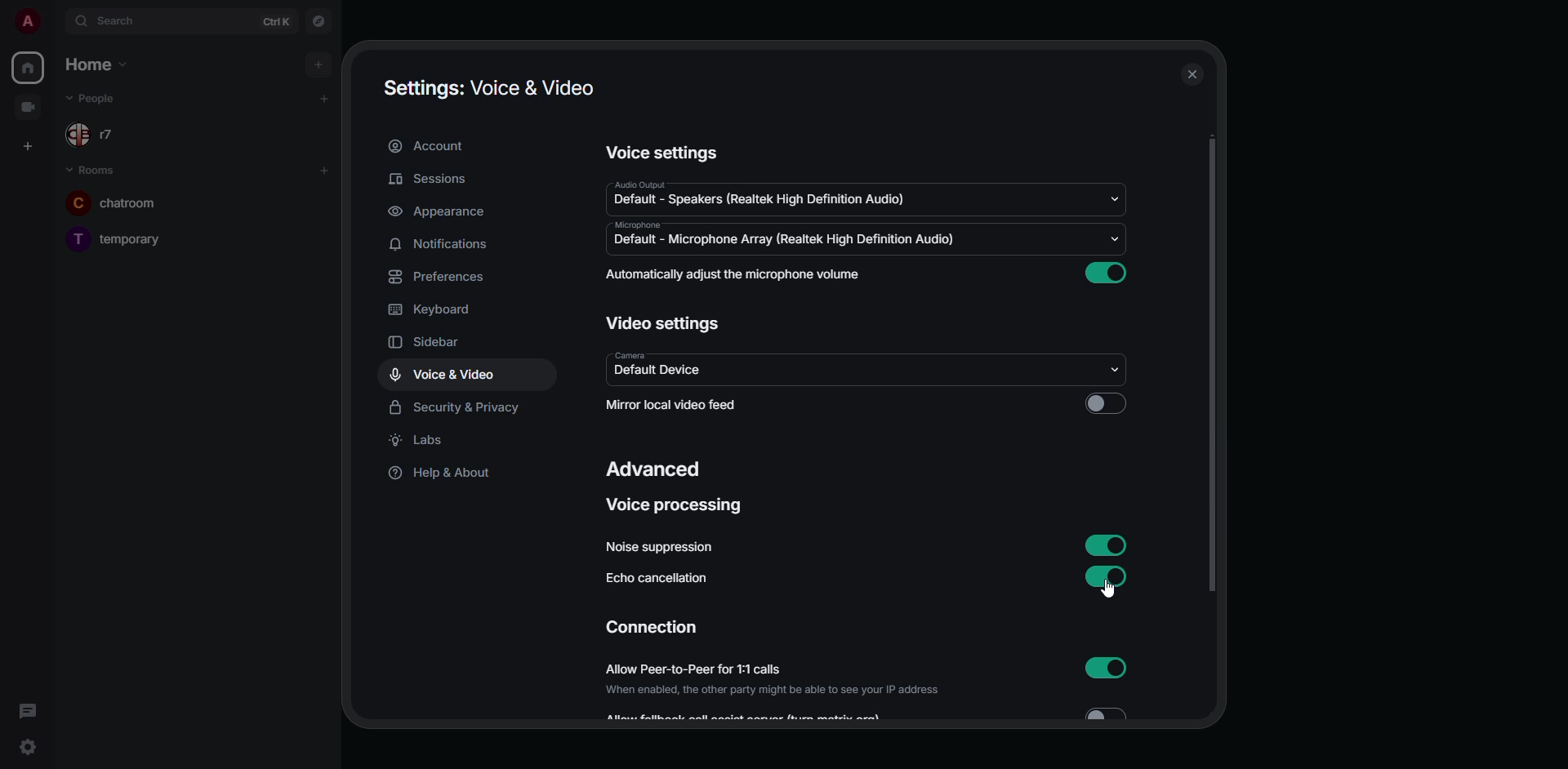  What do you see at coordinates (326, 172) in the screenshot?
I see `add` at bounding box center [326, 172].